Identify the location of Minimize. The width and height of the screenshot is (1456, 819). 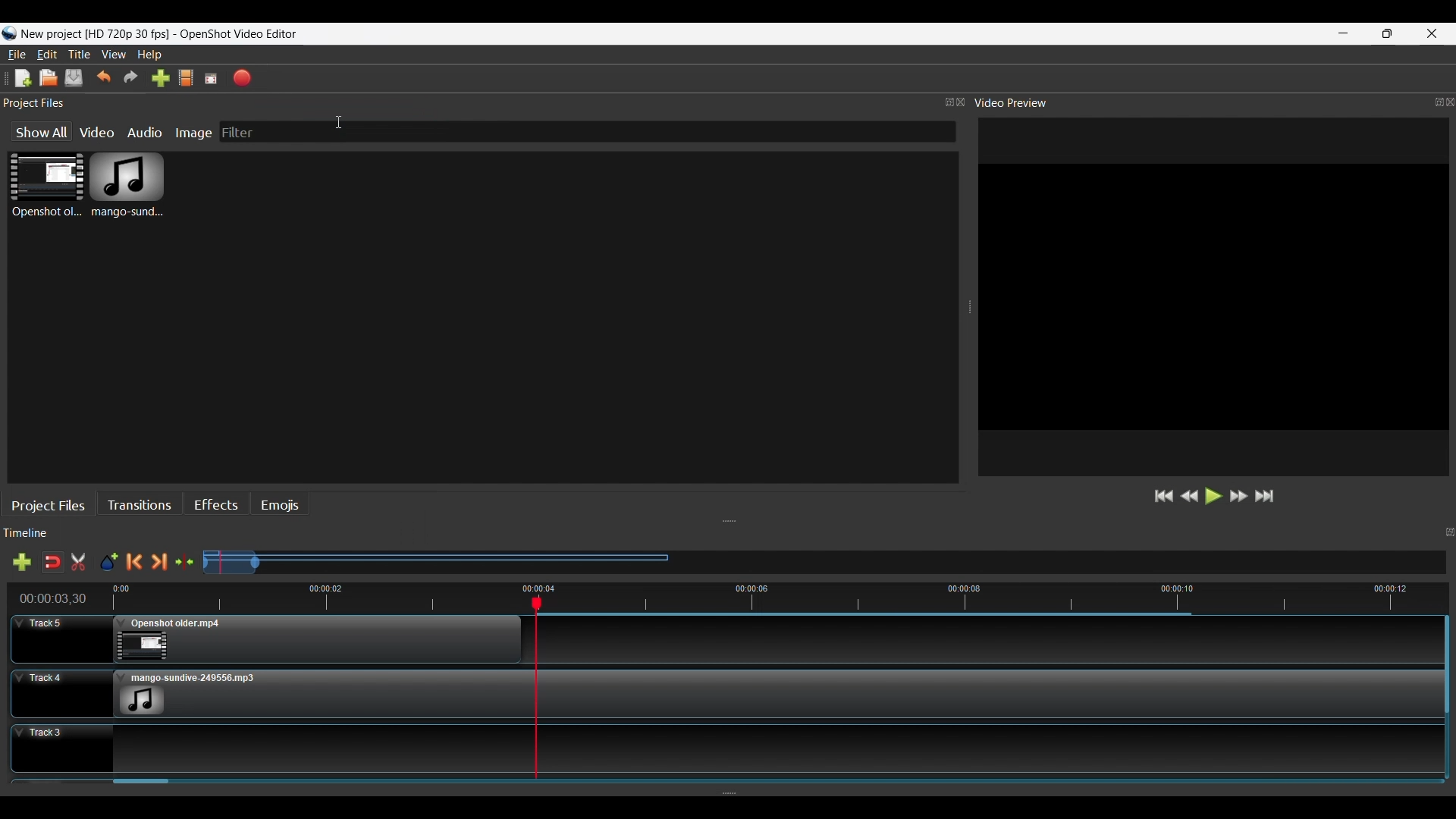
(1344, 33).